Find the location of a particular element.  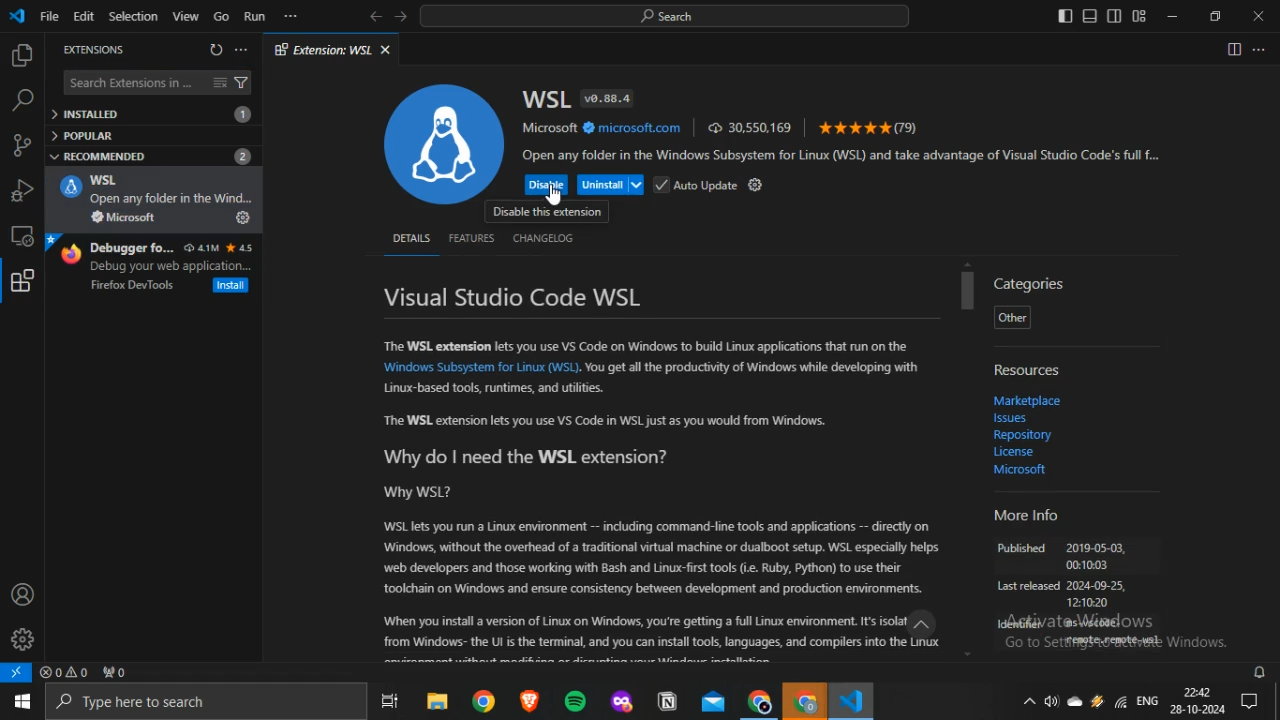

2024-09-25, is located at coordinates (1098, 586).